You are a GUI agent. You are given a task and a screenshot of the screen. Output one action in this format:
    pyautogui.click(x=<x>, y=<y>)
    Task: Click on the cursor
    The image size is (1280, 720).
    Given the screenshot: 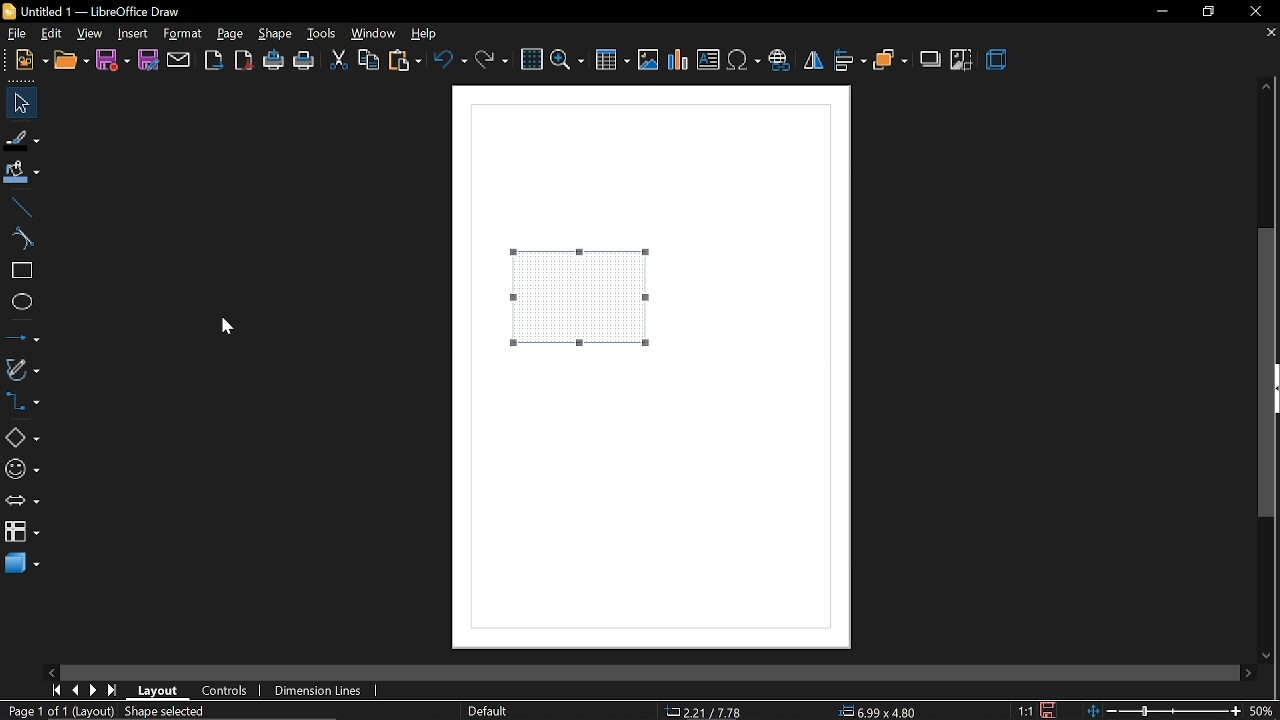 What is the action you would take?
    pyautogui.click(x=231, y=327)
    